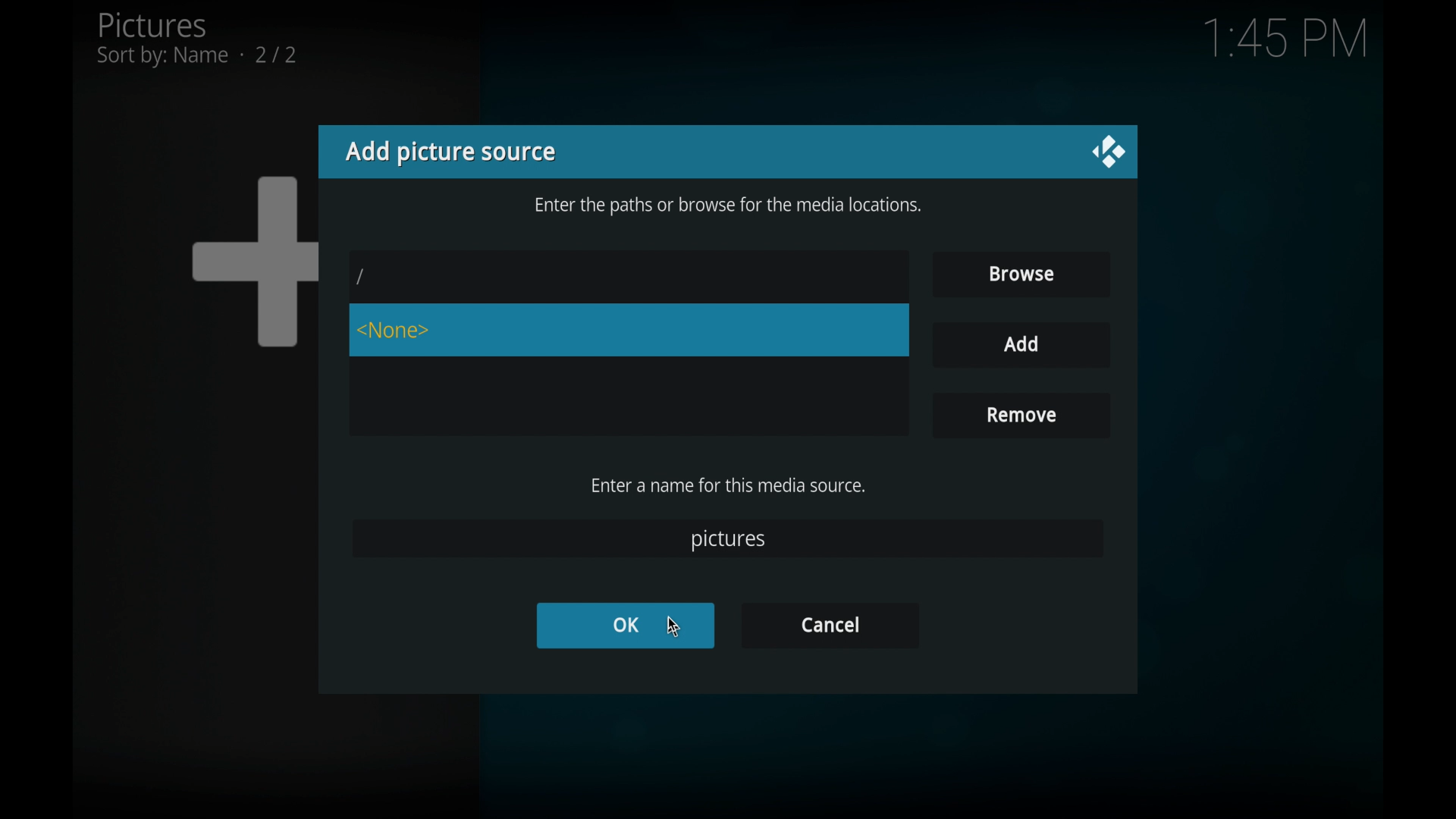 Image resolution: width=1456 pixels, height=819 pixels. Describe the element at coordinates (1107, 152) in the screenshot. I see `close` at that location.